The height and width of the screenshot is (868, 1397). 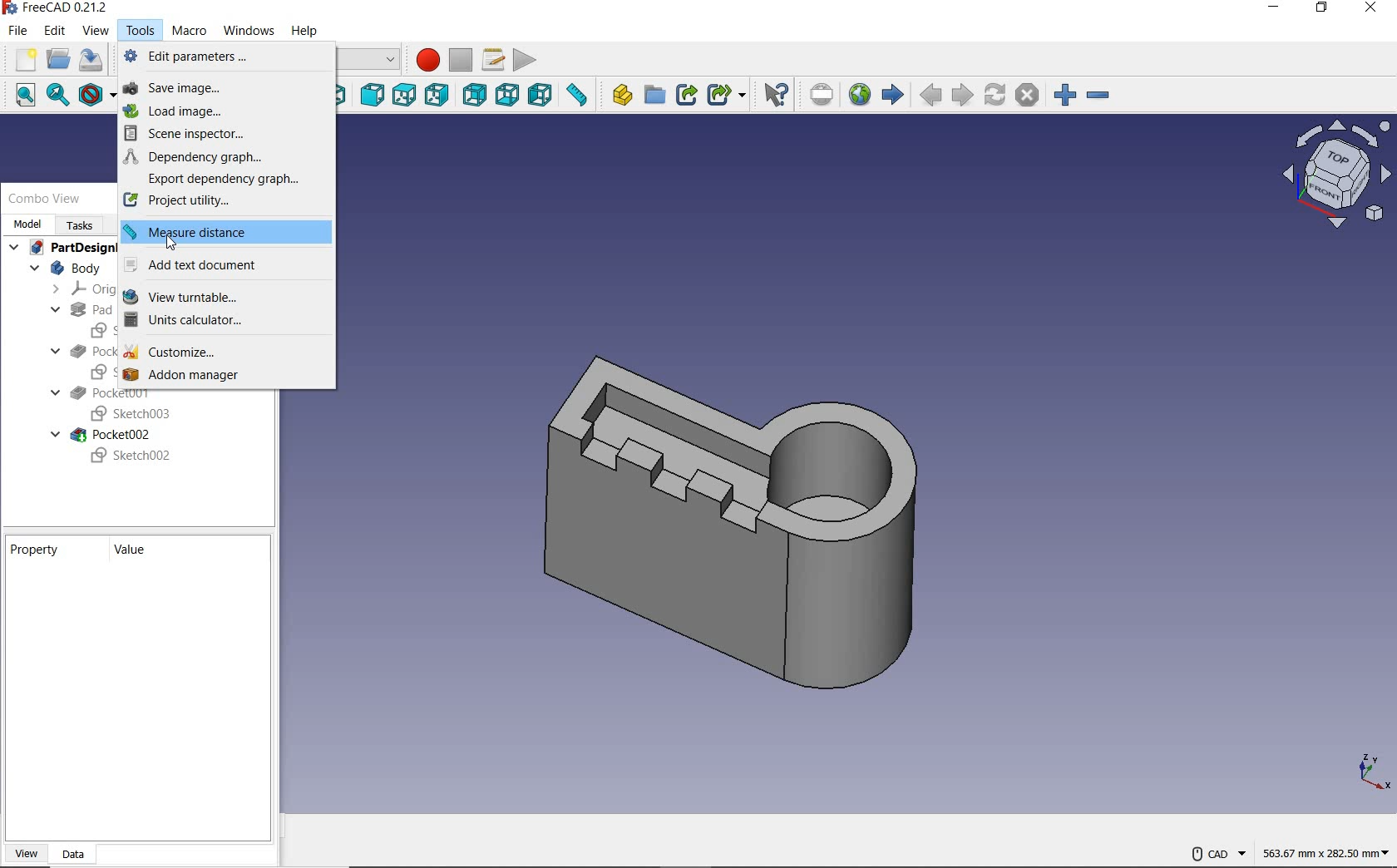 I want to click on macro, so click(x=189, y=31).